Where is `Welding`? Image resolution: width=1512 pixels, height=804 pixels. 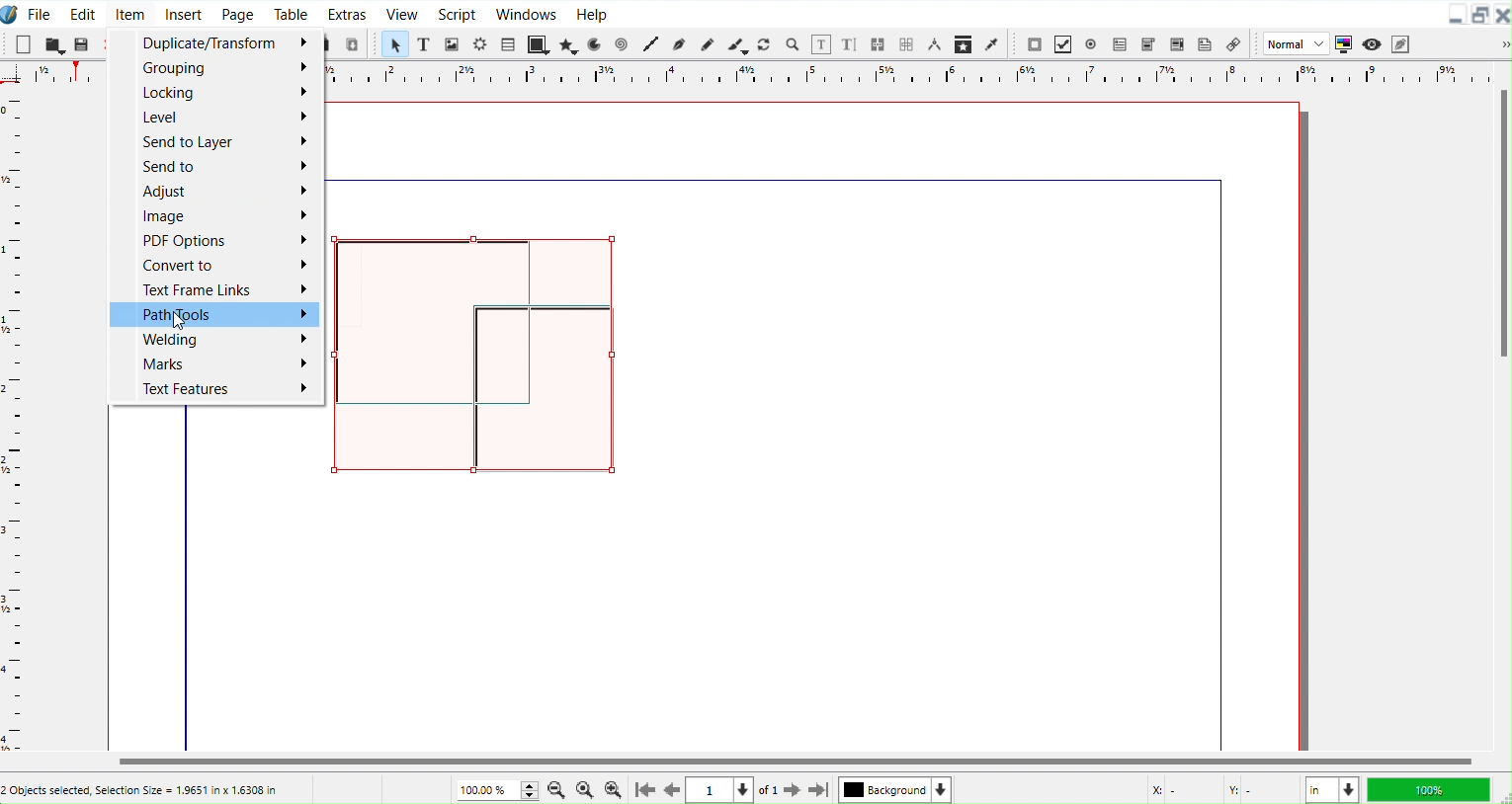
Welding is located at coordinates (210, 340).